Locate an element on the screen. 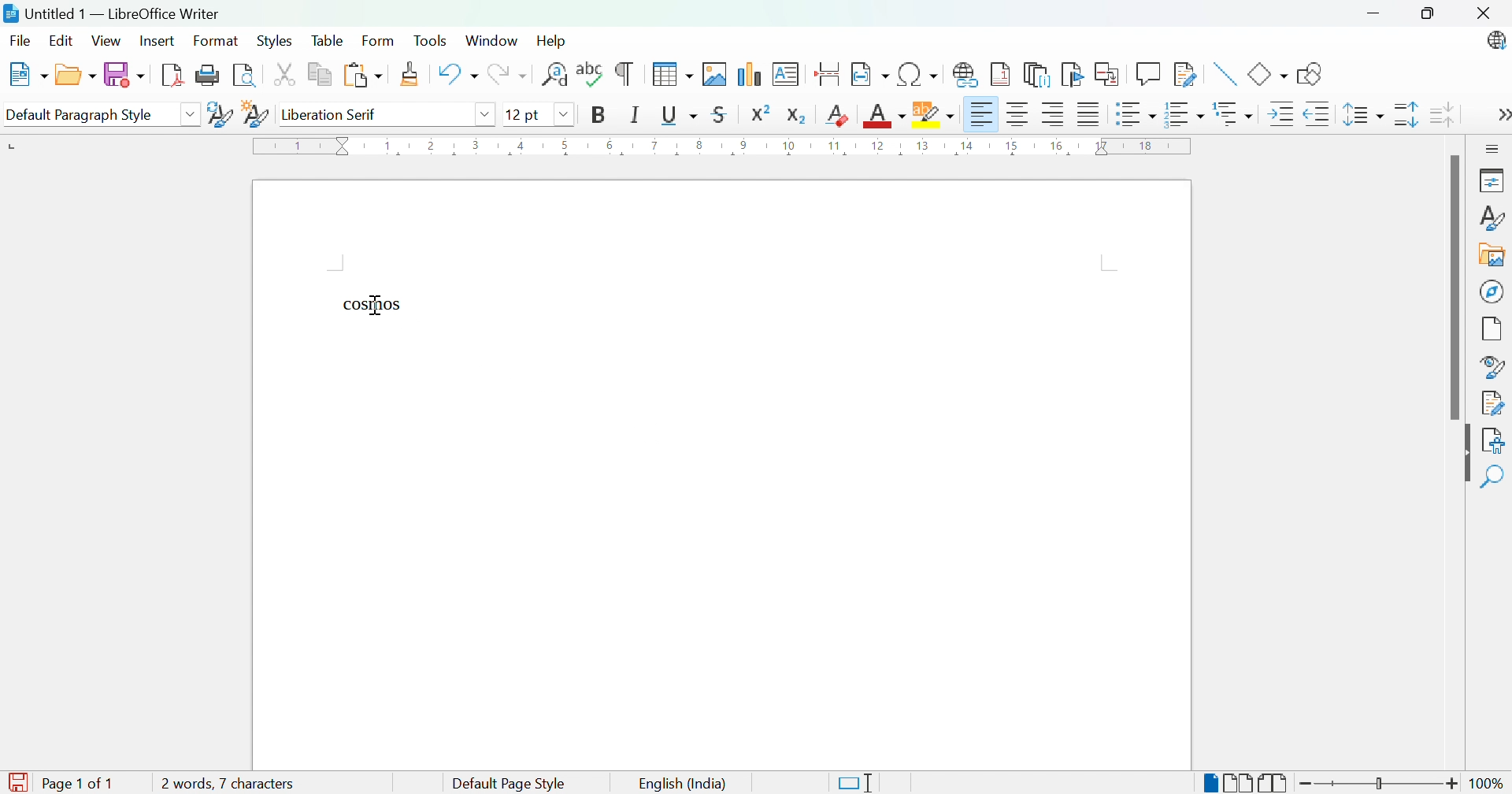  Font color is located at coordinates (886, 117).